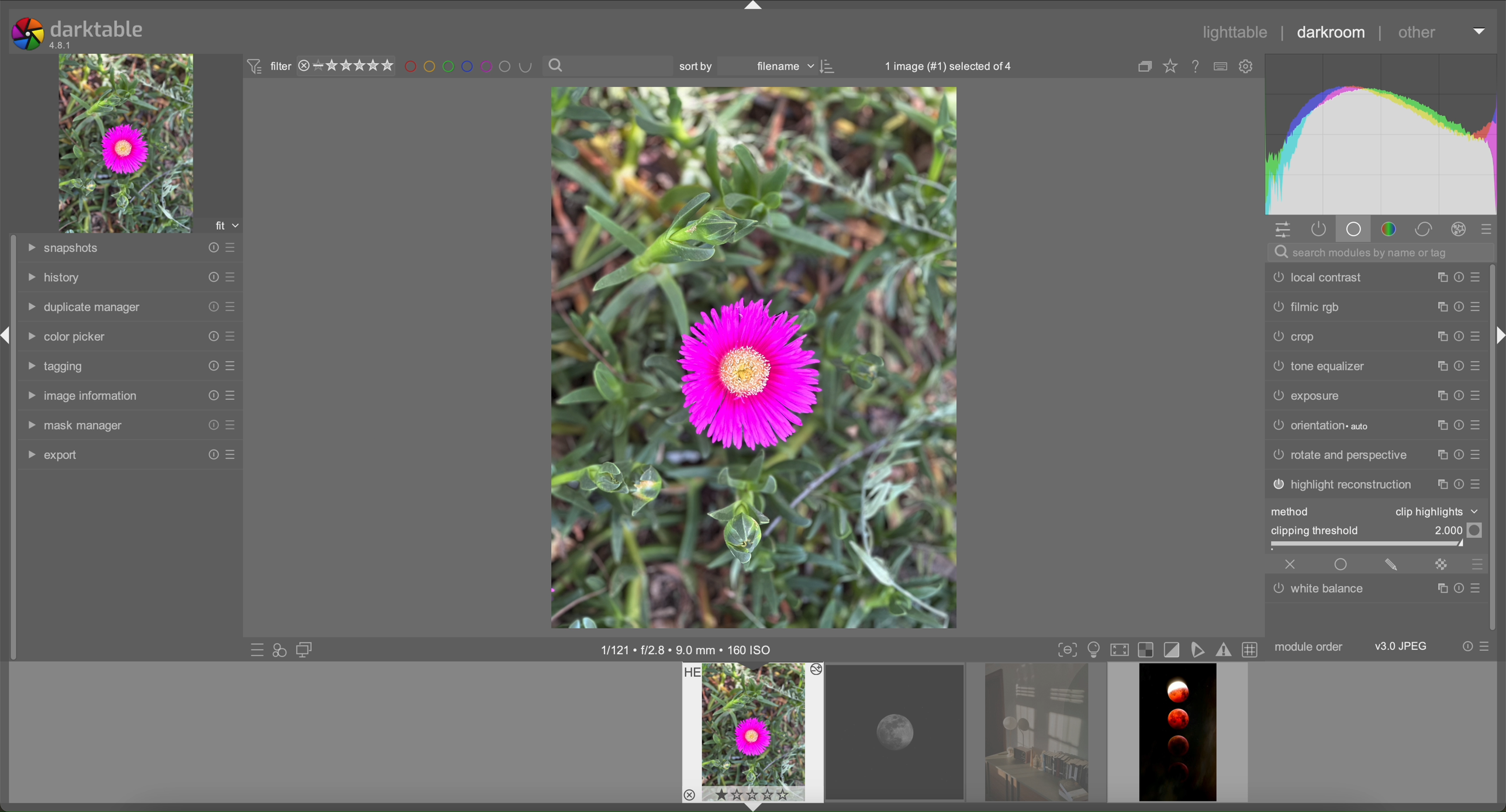 This screenshot has width=1506, height=812. What do you see at coordinates (1479, 426) in the screenshot?
I see `presets` at bounding box center [1479, 426].